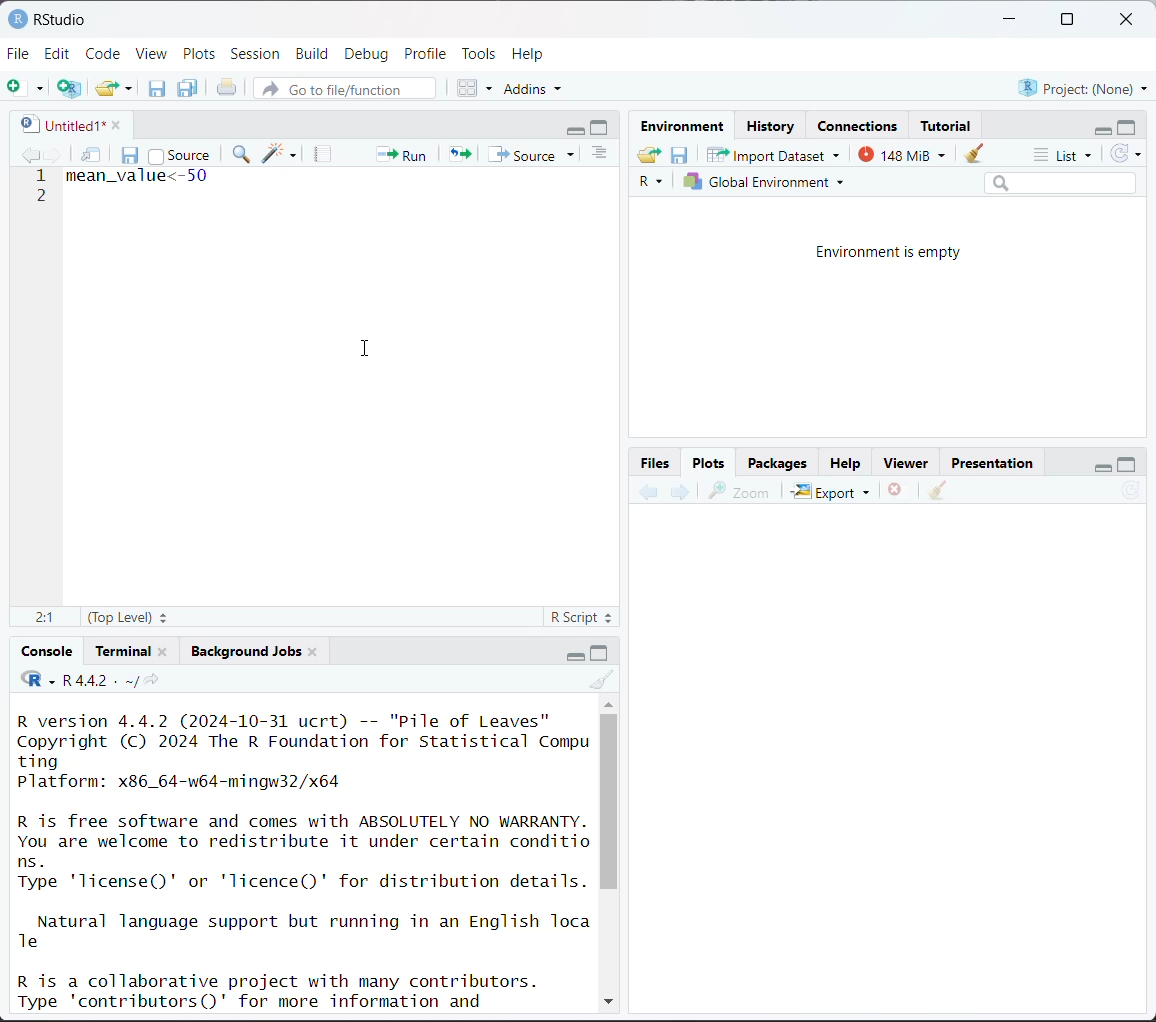 Image resolution: width=1156 pixels, height=1022 pixels. I want to click on down, so click(607, 998).